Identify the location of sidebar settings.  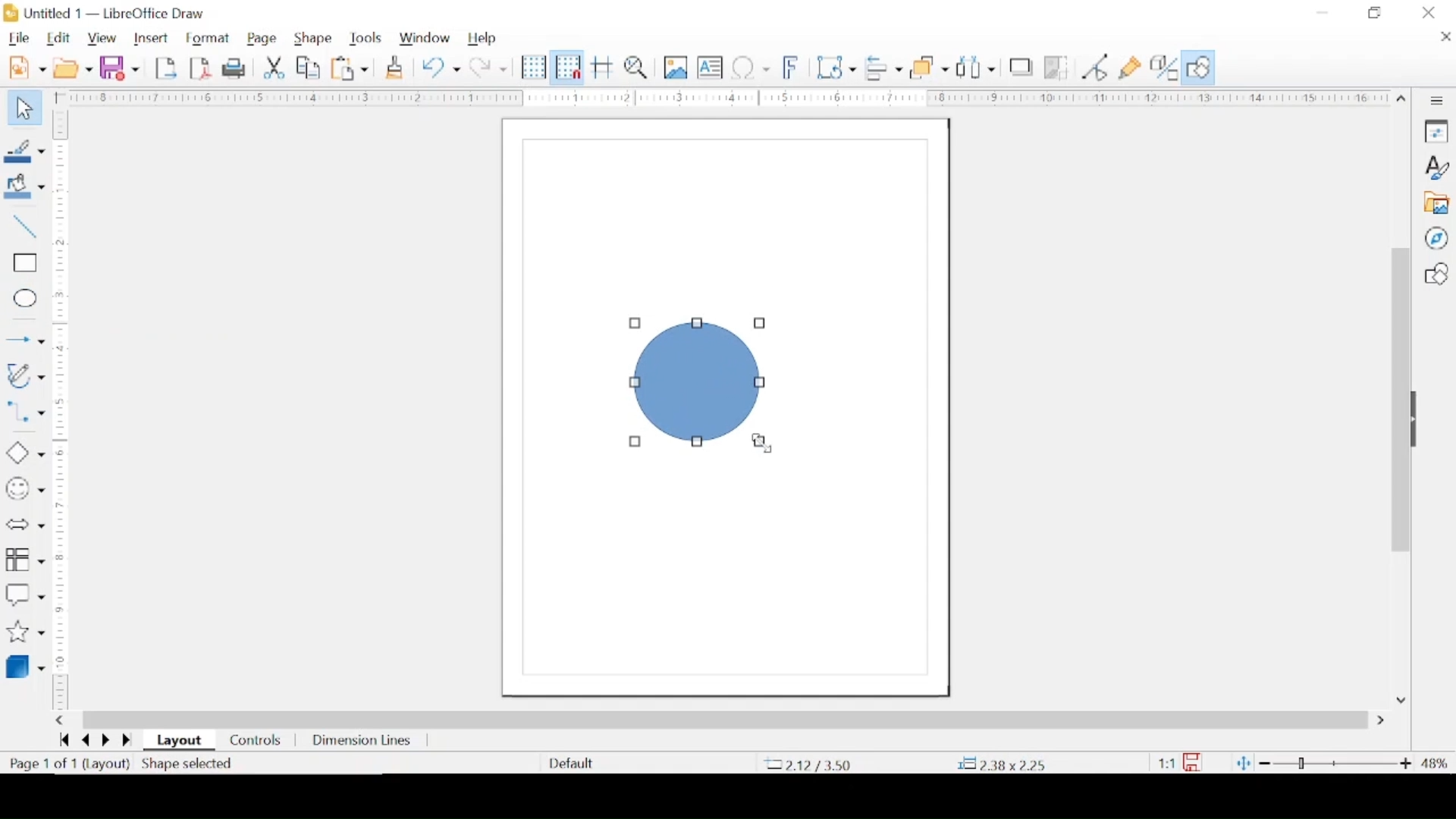
(1439, 100).